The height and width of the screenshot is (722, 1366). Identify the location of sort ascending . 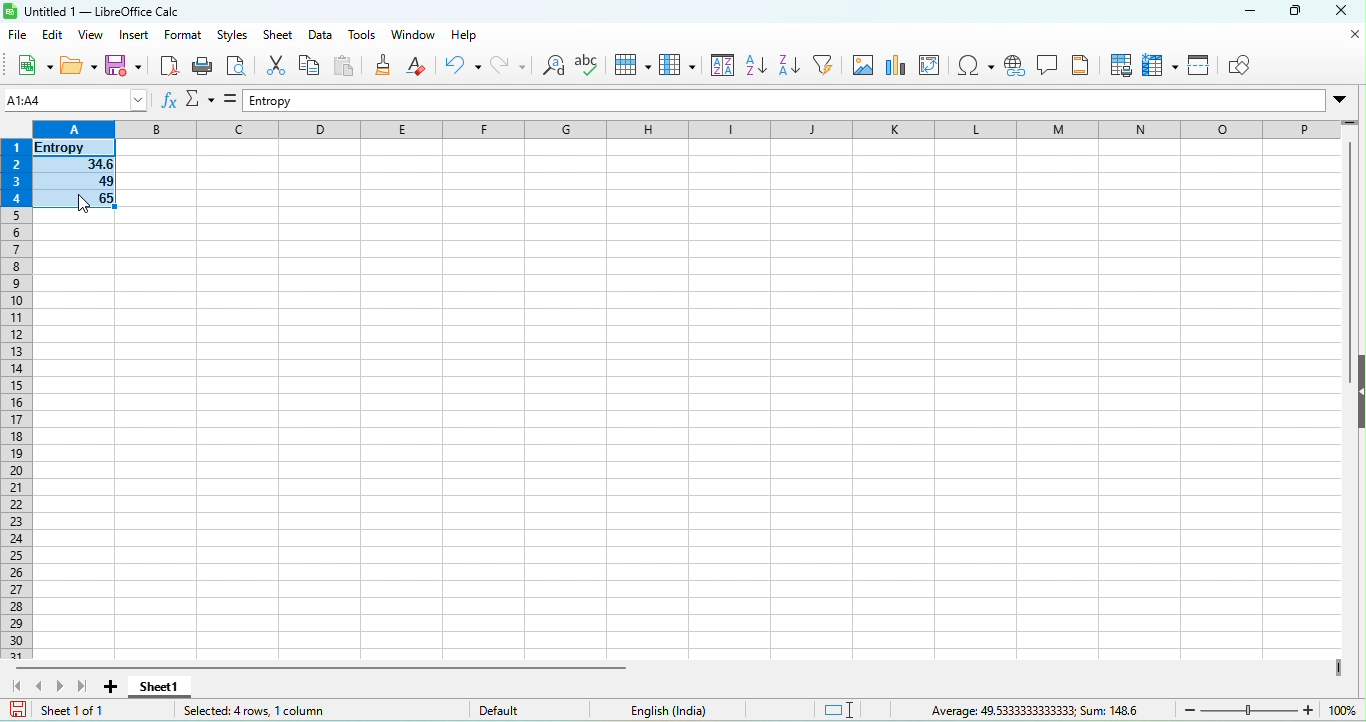
(758, 68).